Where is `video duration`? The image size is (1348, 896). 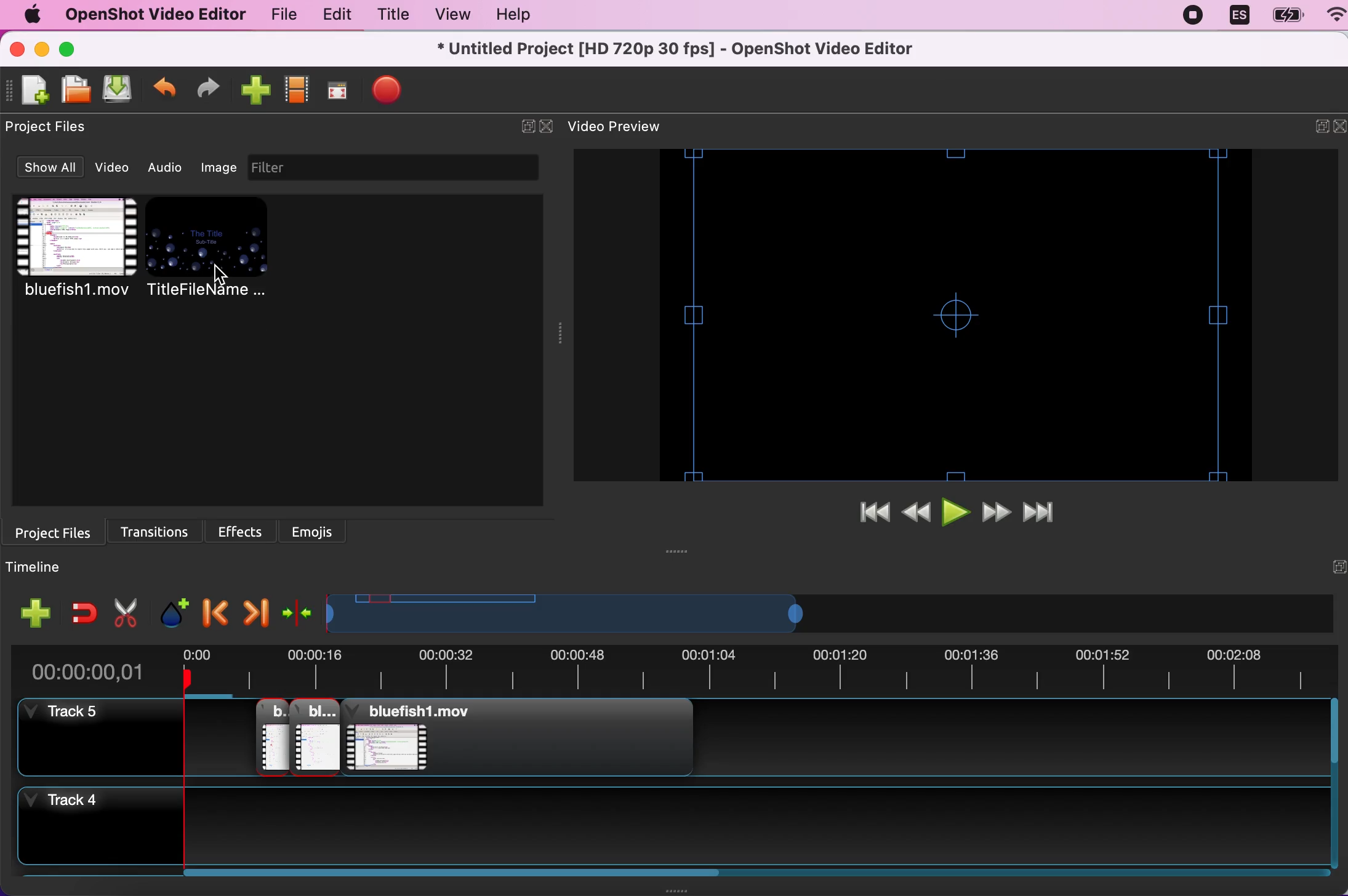
video duration is located at coordinates (758, 673).